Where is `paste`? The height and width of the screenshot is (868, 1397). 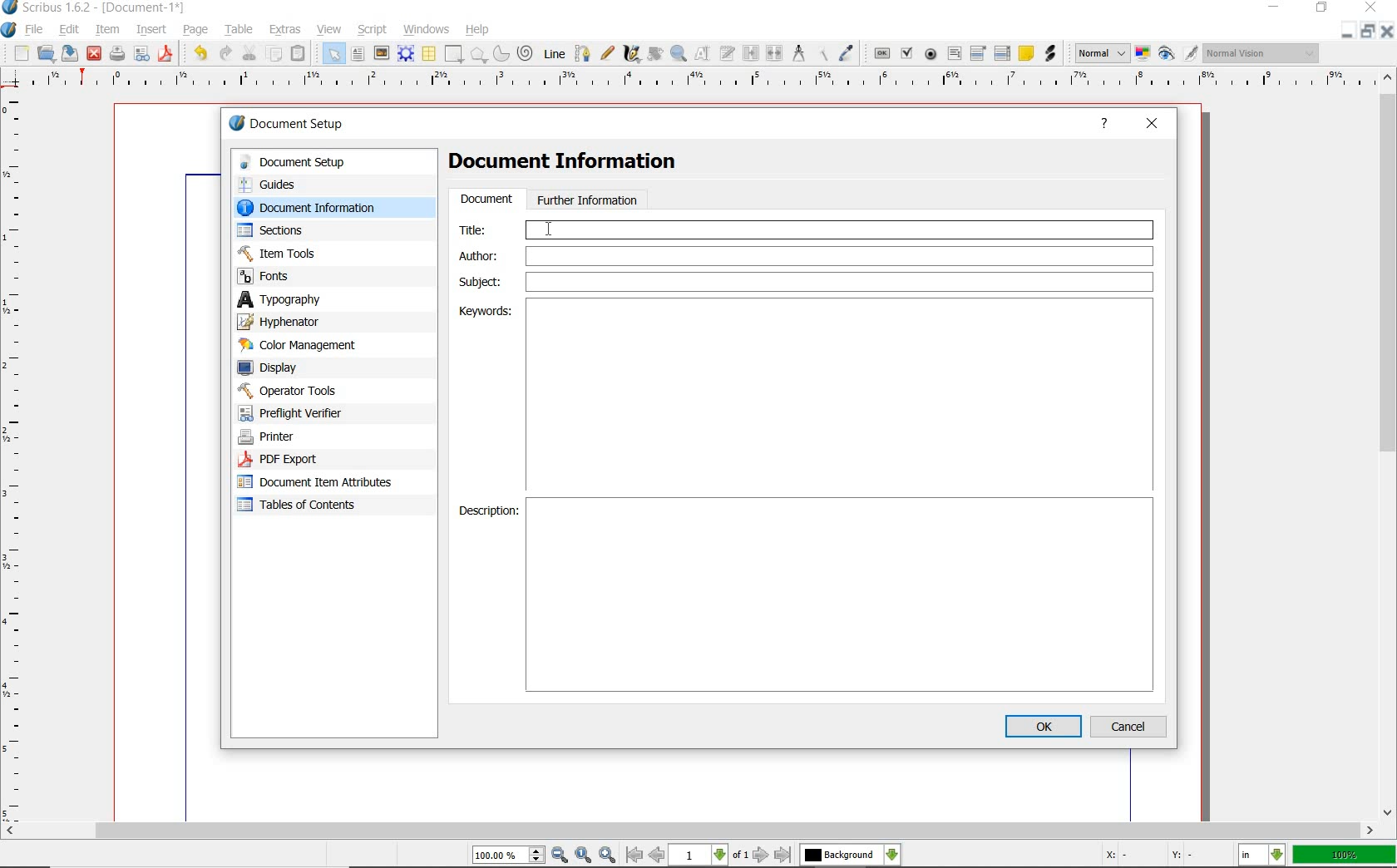
paste is located at coordinates (301, 52).